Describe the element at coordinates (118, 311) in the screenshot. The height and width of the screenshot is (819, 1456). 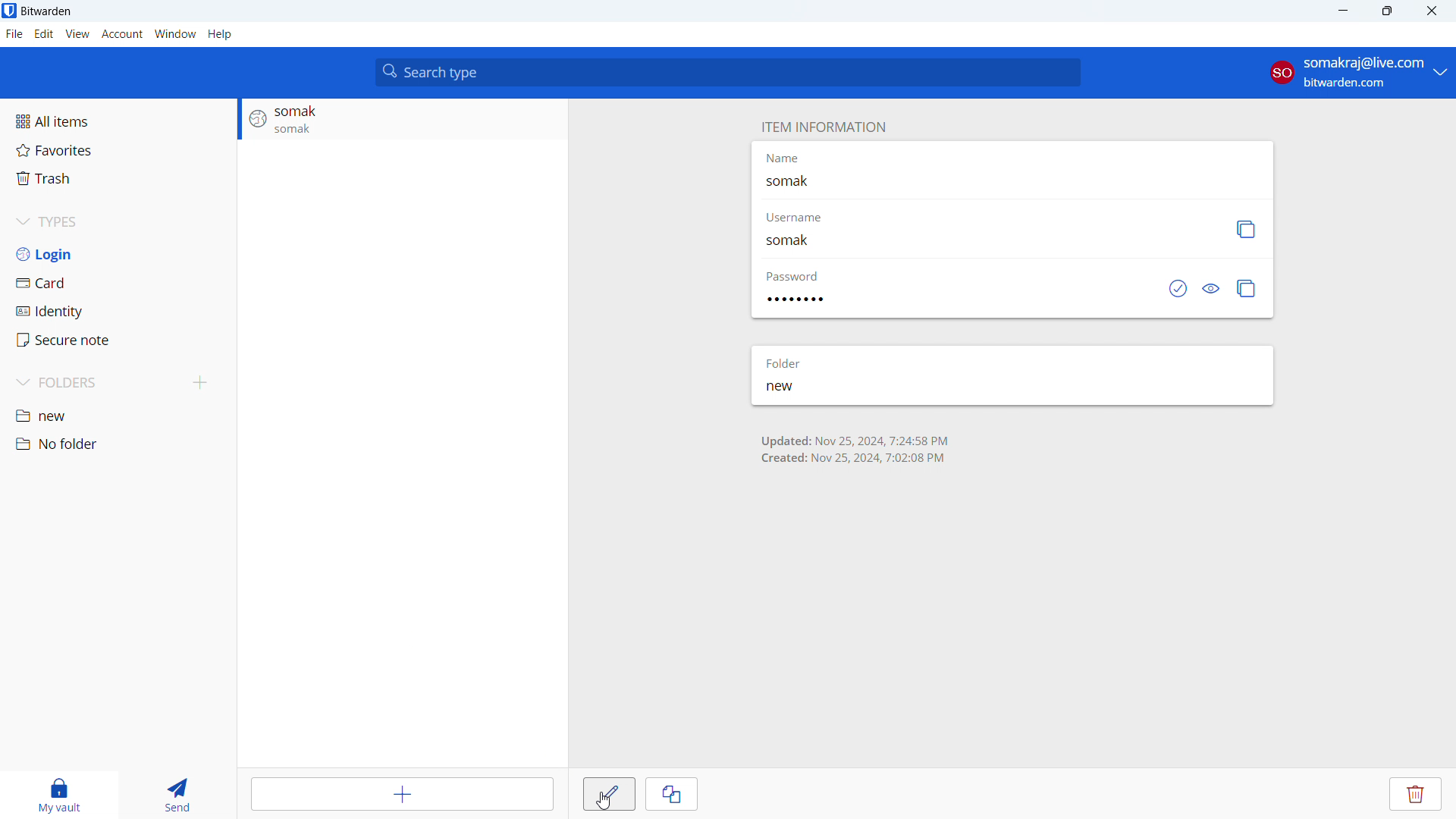
I see `identity` at that location.